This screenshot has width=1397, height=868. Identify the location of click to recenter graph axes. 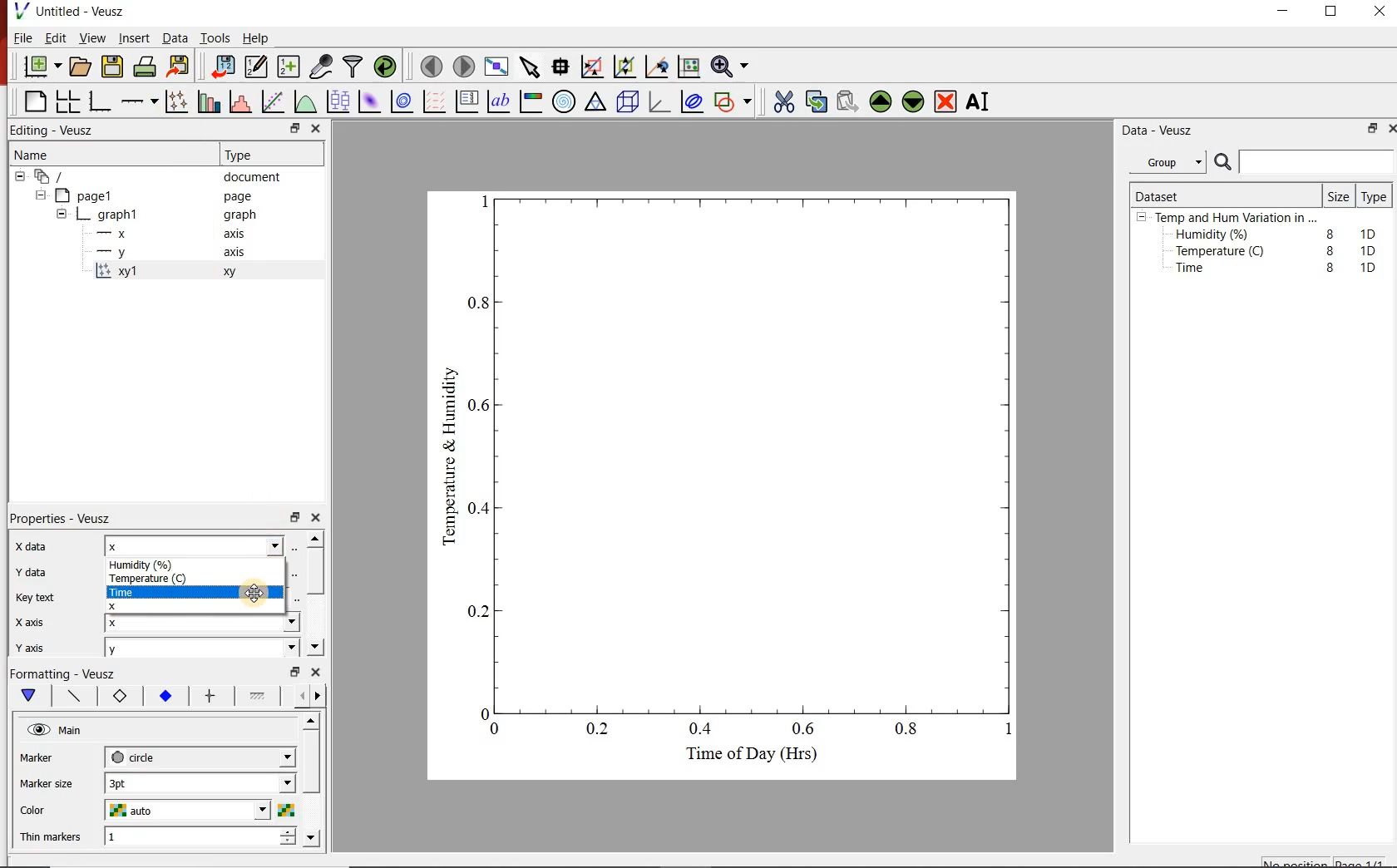
(657, 67).